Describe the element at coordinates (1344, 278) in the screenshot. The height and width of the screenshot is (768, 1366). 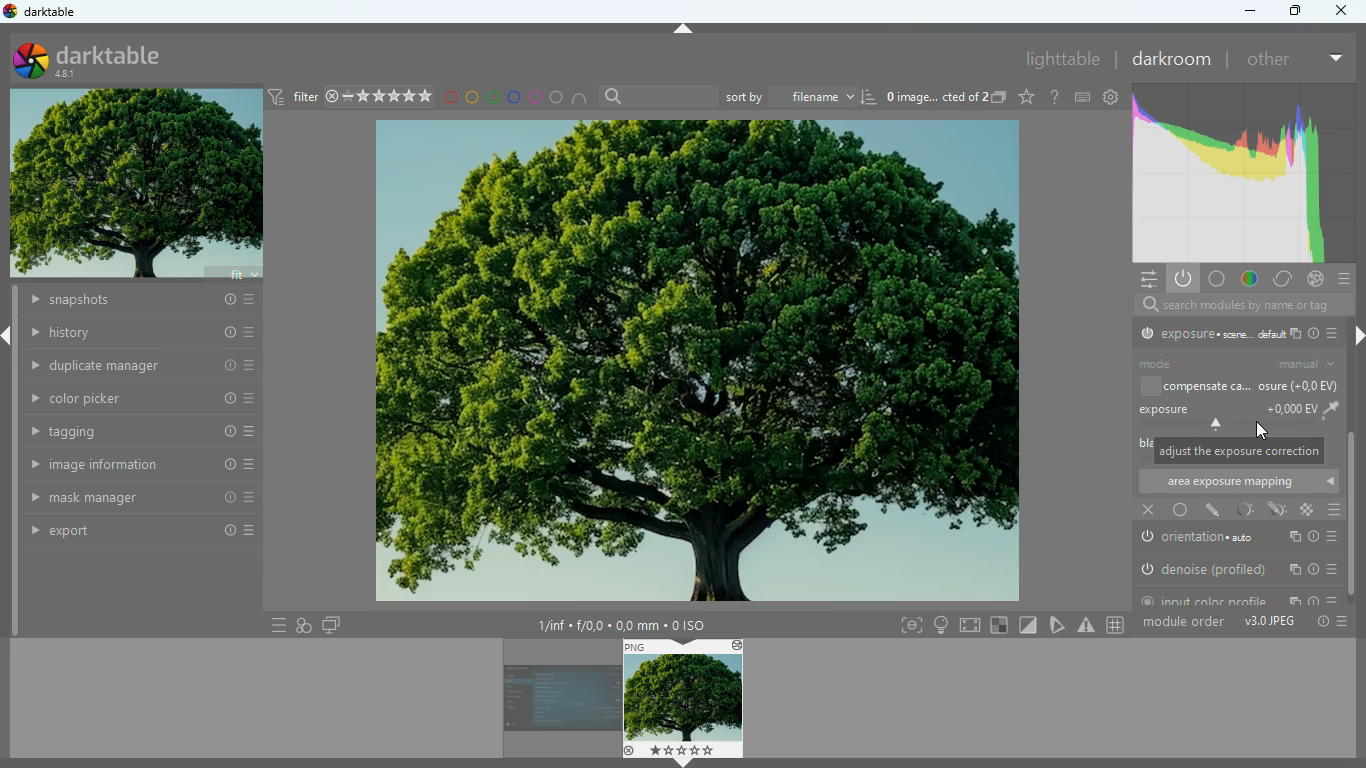
I see `menu` at that location.